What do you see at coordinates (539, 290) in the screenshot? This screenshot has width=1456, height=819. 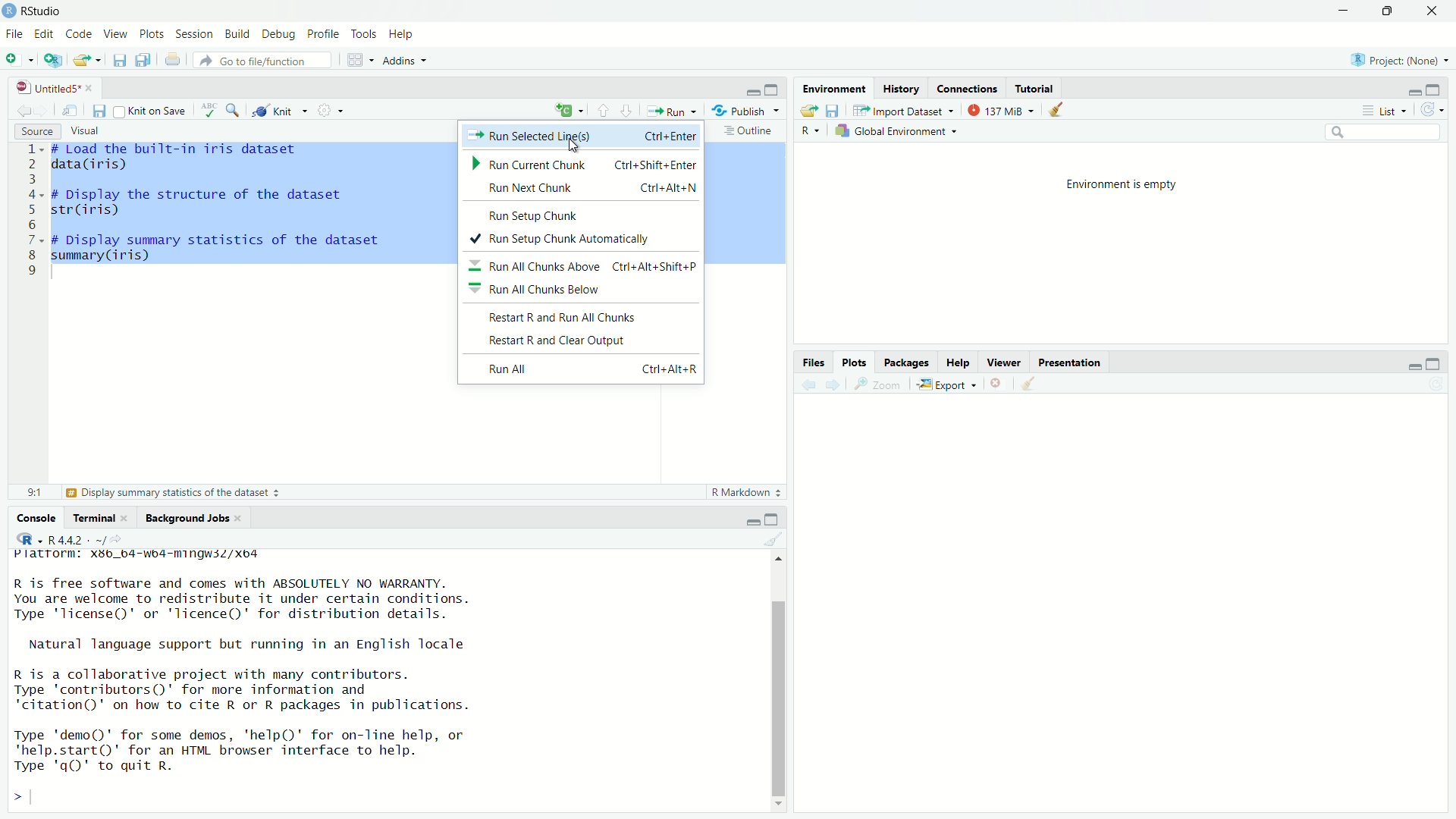 I see `= Run All Chunks Below` at bounding box center [539, 290].